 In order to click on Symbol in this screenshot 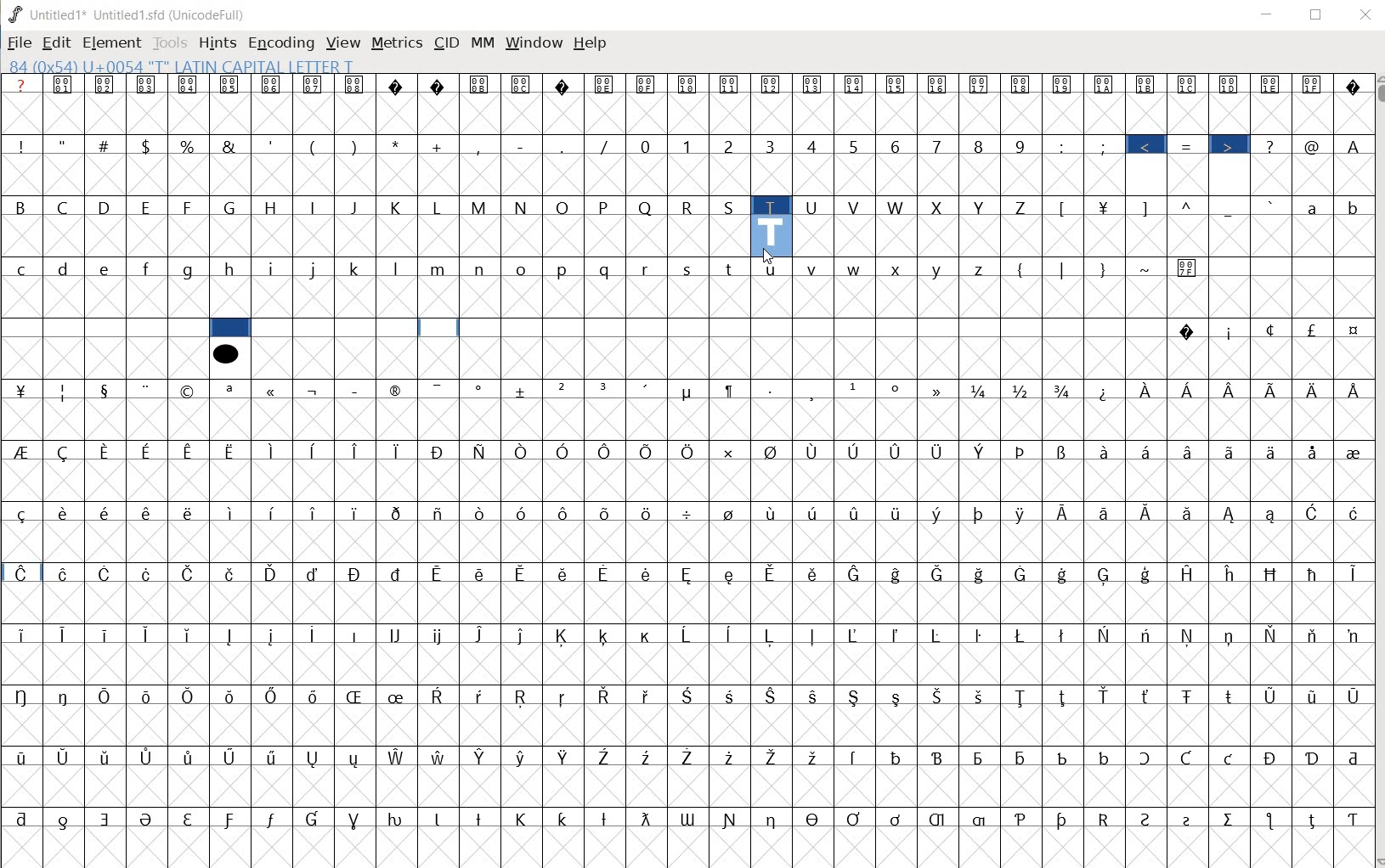, I will do `click(772, 451)`.